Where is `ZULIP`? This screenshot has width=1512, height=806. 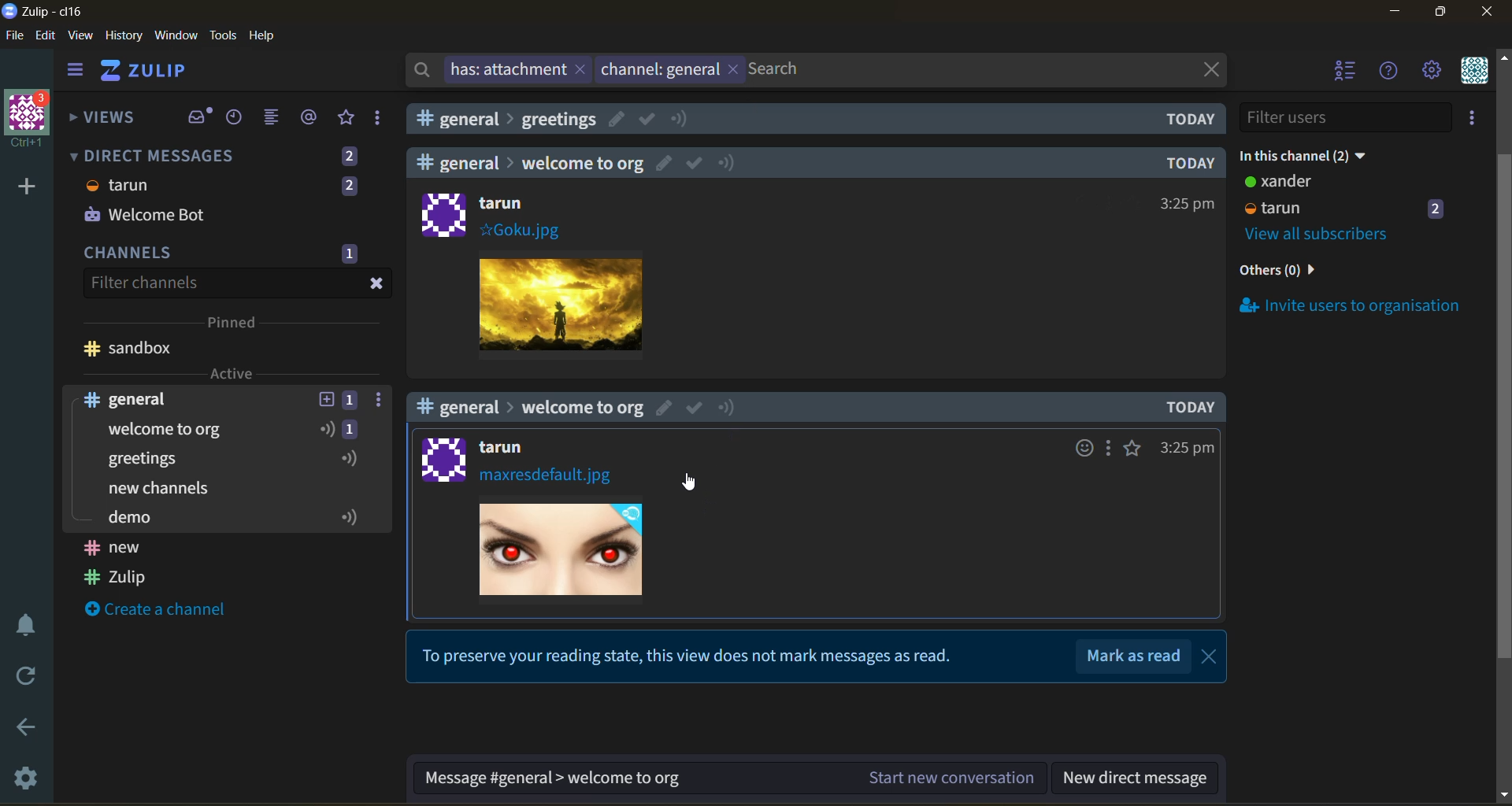 ZULIP is located at coordinates (146, 70).